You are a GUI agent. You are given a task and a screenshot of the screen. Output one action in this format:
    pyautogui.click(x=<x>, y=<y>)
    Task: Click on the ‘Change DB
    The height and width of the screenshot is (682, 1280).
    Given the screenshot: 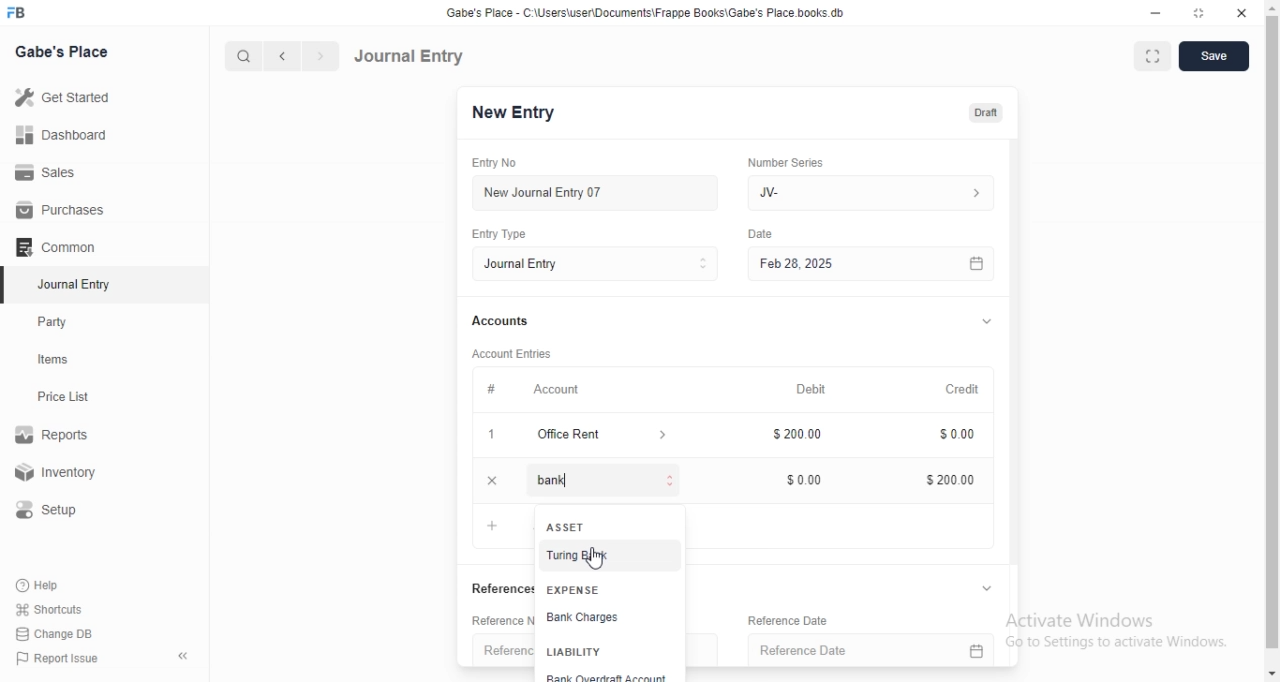 What is the action you would take?
    pyautogui.click(x=55, y=634)
    